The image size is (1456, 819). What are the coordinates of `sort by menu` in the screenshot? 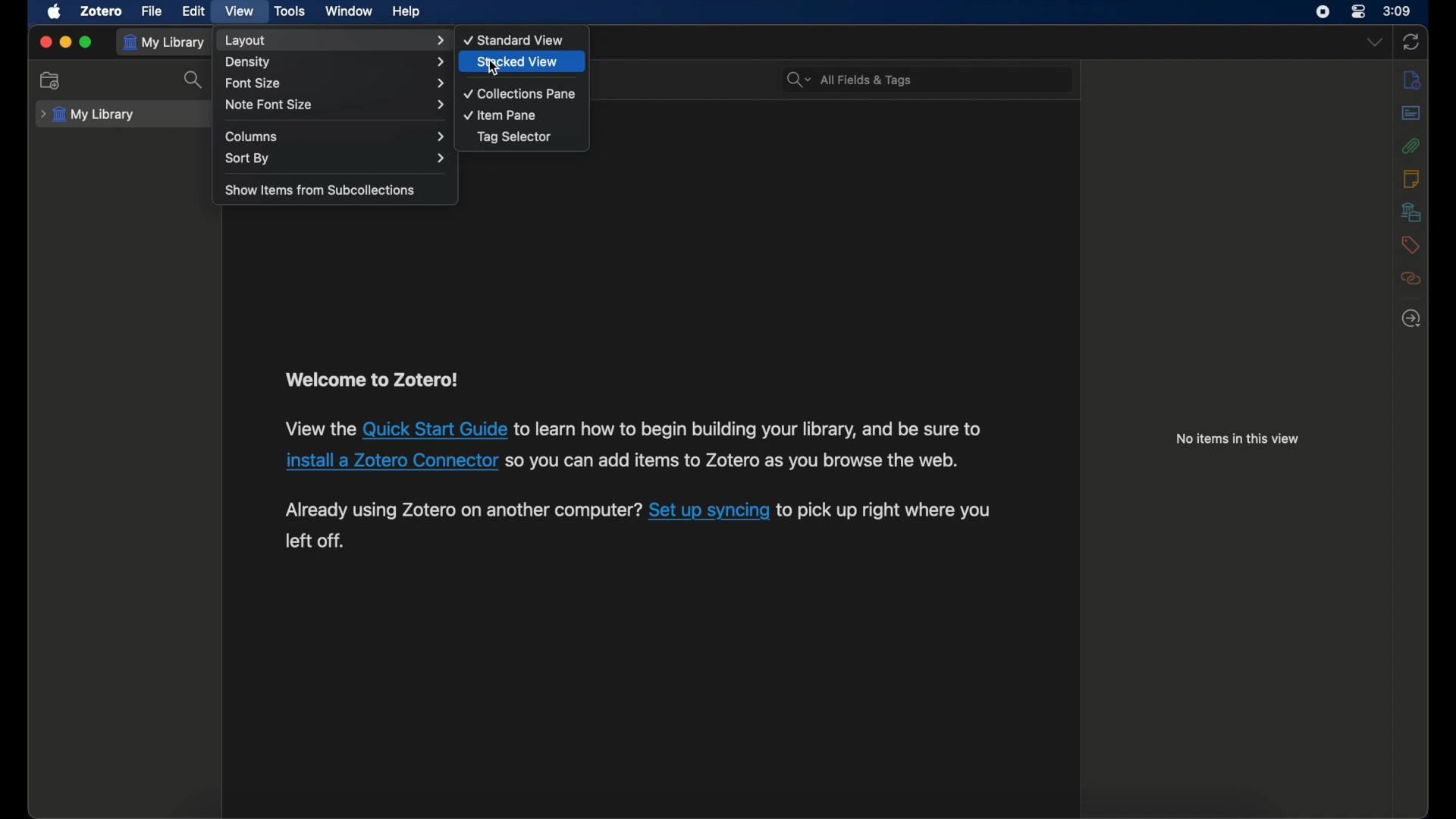 It's located at (336, 158).